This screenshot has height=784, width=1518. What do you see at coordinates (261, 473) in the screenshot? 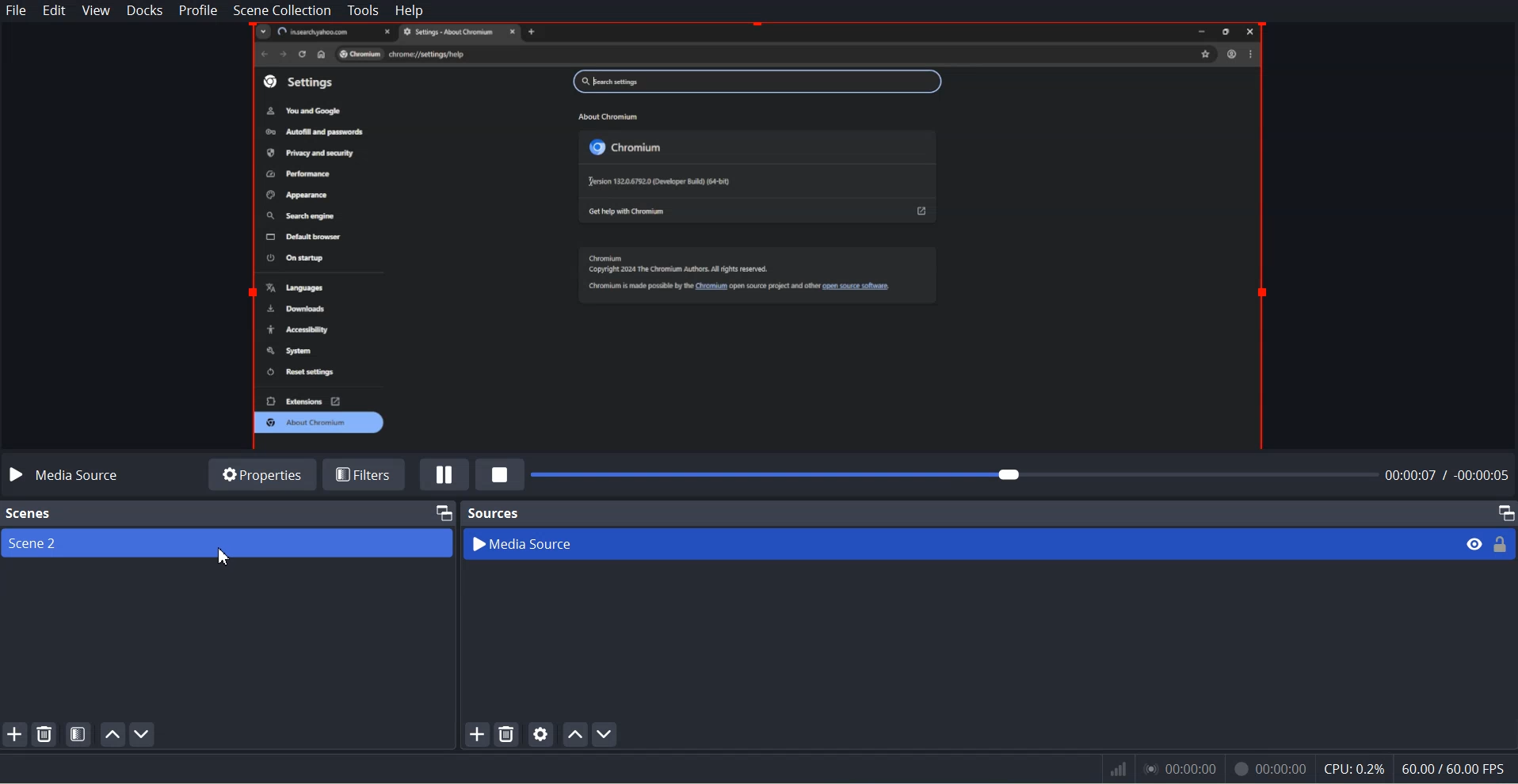
I see `Properties` at bounding box center [261, 473].